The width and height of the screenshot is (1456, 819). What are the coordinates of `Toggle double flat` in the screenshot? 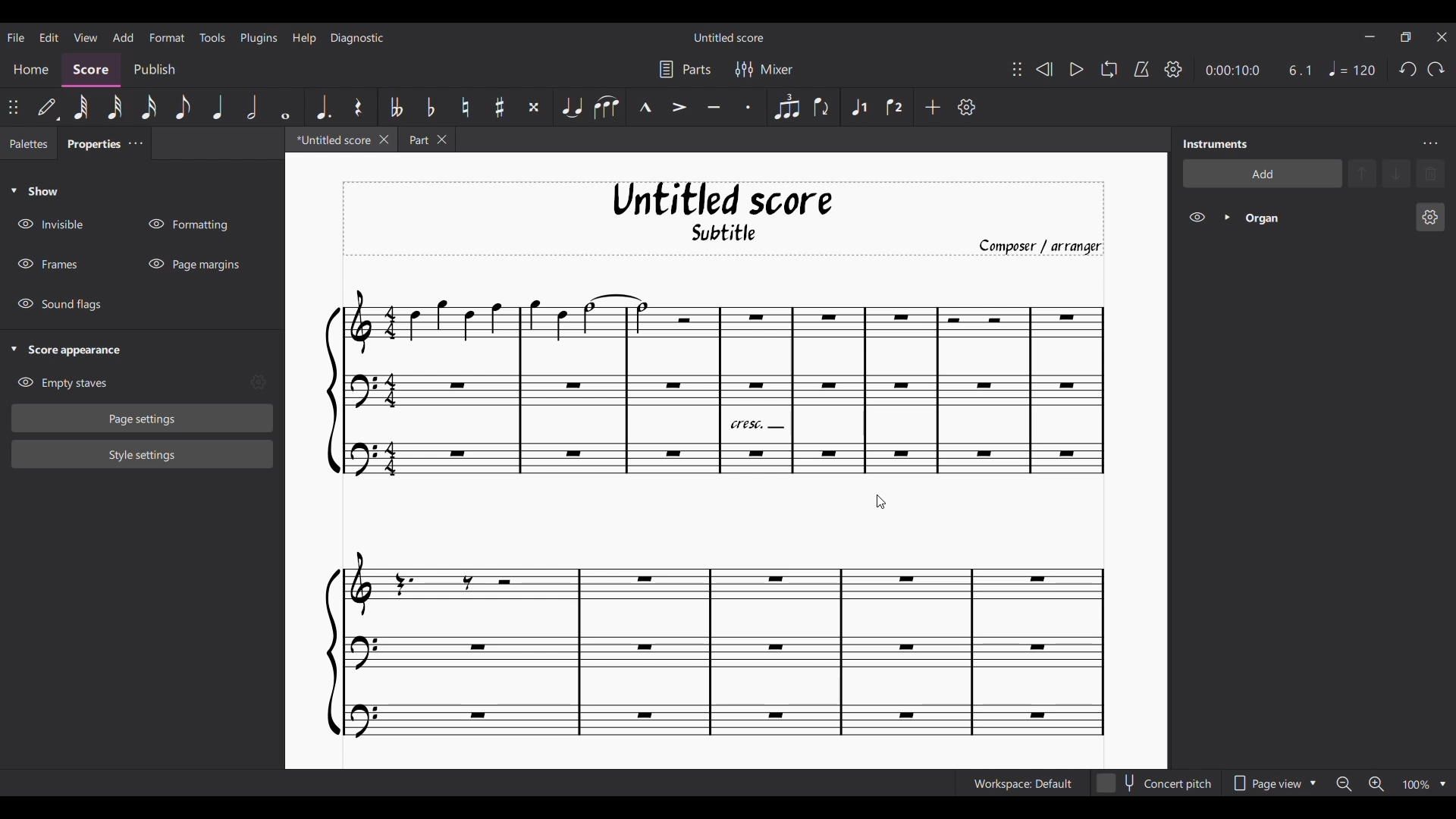 It's located at (395, 106).